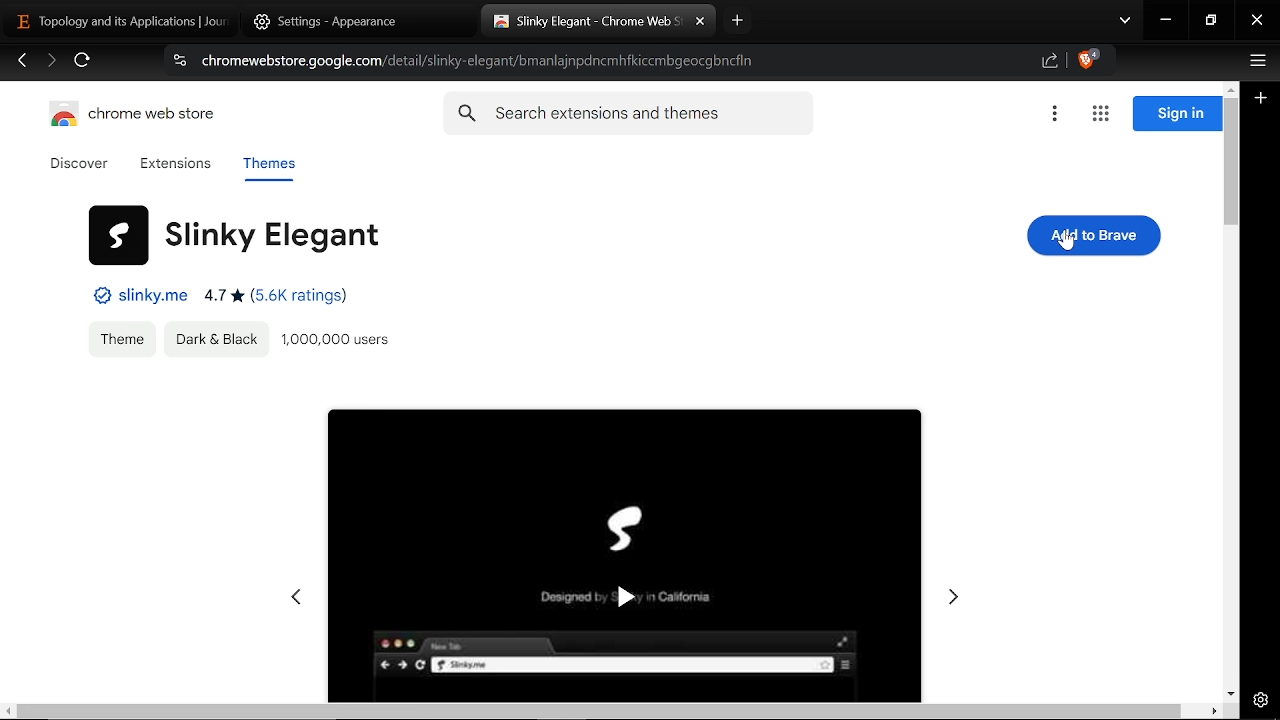 Image resolution: width=1280 pixels, height=720 pixels. I want to click on Brave shield, so click(1088, 62).